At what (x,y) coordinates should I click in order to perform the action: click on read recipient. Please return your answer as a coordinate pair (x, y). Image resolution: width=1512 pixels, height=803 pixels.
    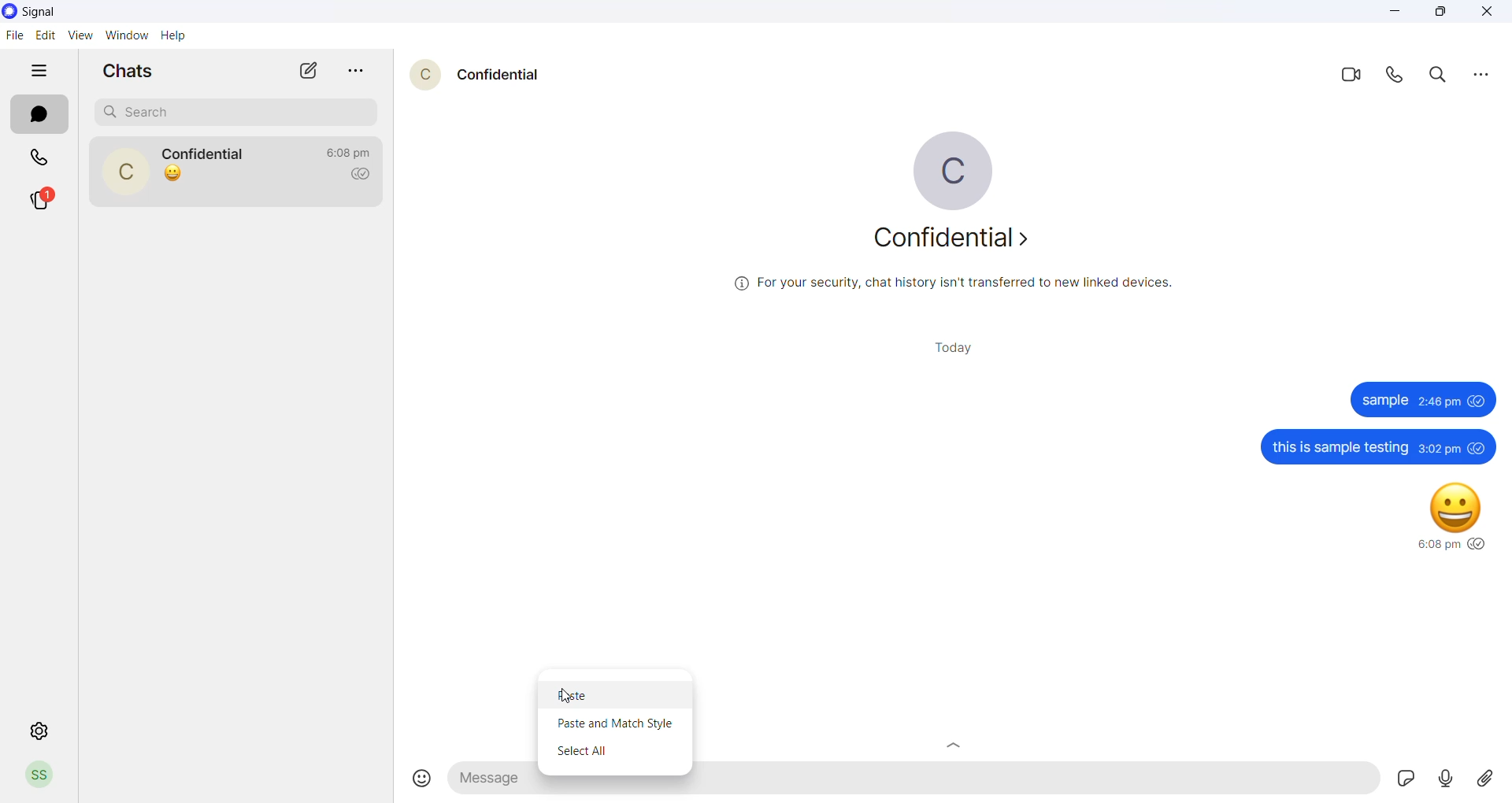
    Looking at the image, I should click on (365, 175).